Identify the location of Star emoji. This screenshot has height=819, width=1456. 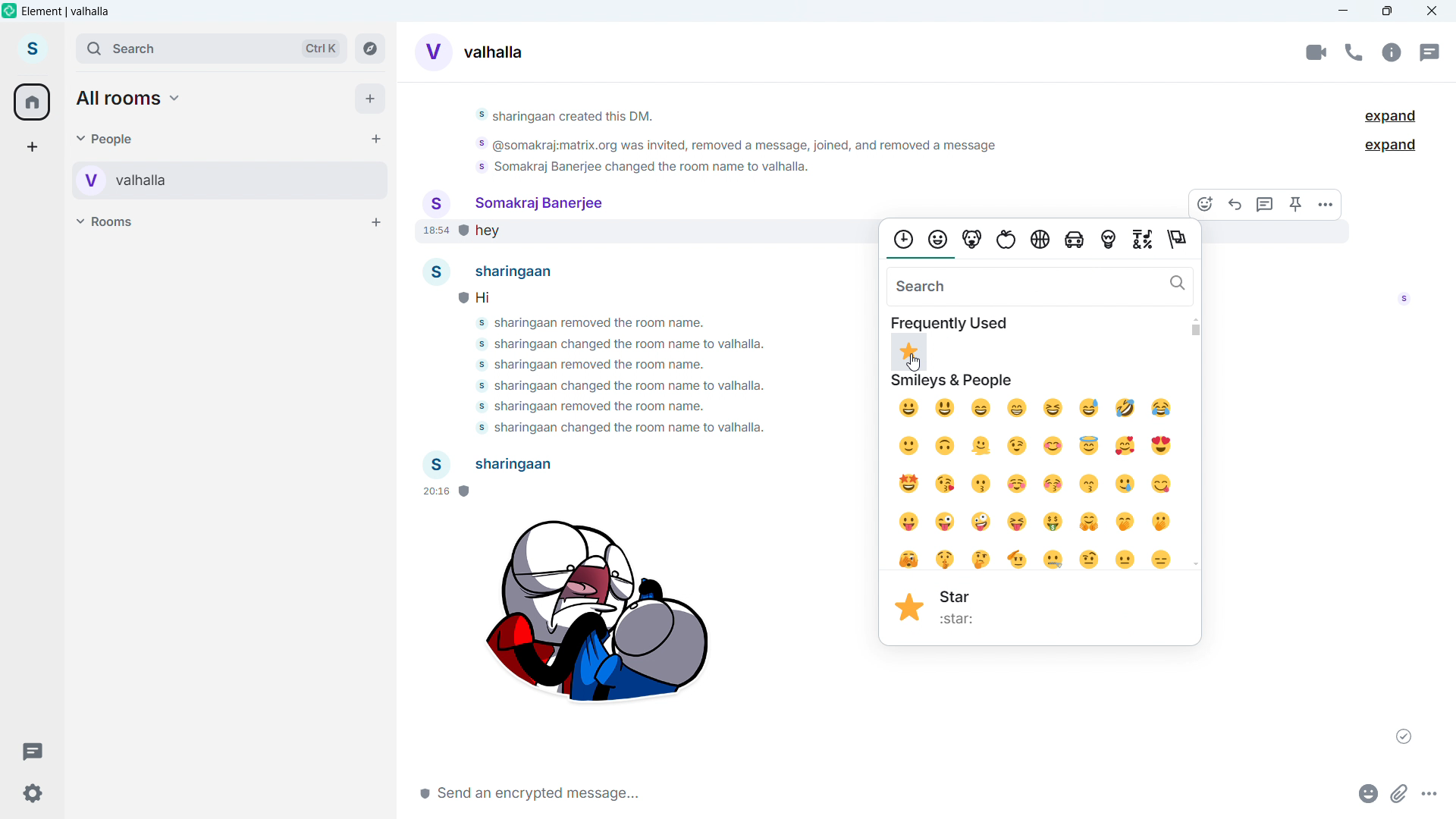
(909, 353).